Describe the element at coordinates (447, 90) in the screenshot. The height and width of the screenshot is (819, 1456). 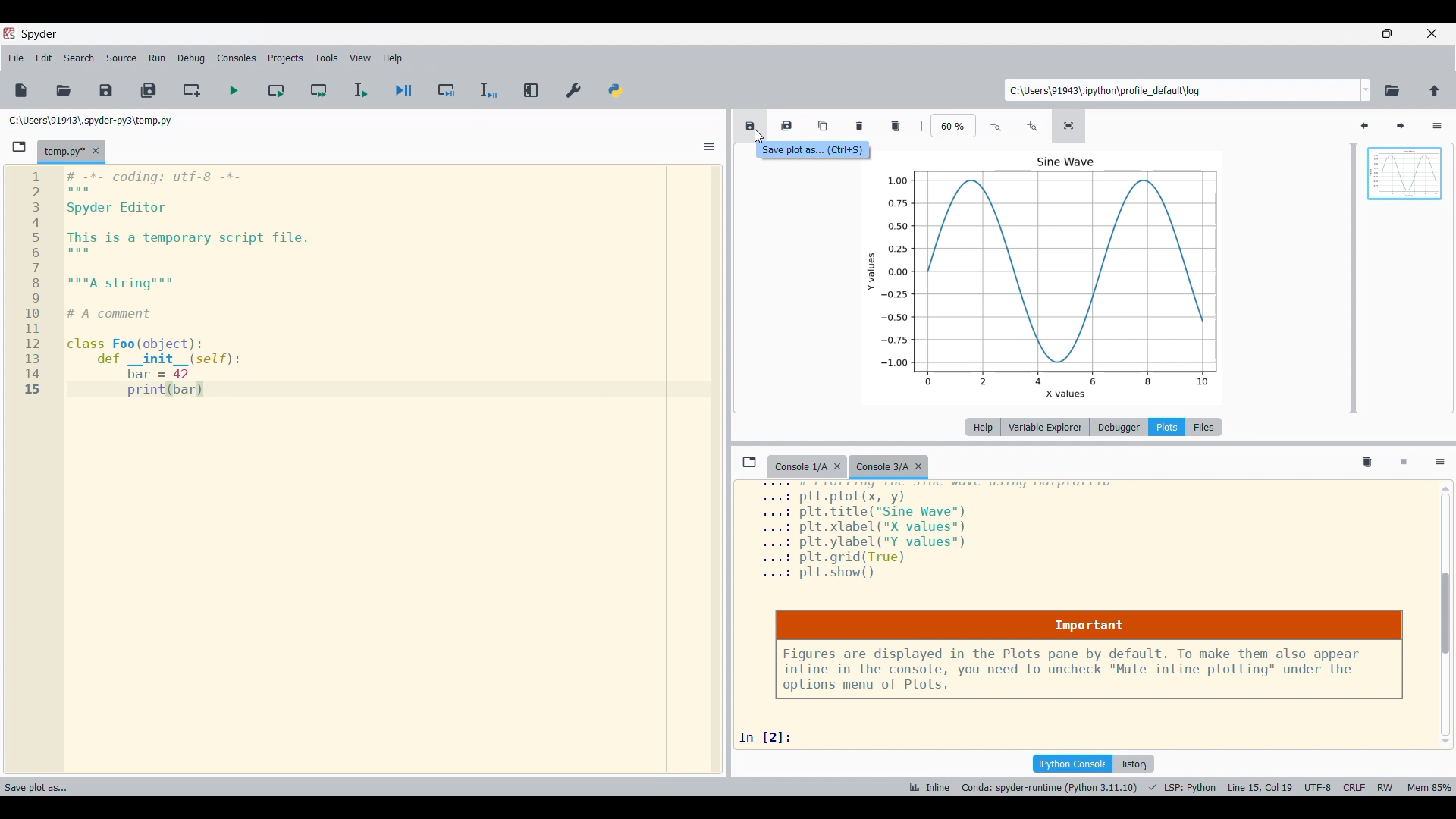
I see `Debug cell` at that location.